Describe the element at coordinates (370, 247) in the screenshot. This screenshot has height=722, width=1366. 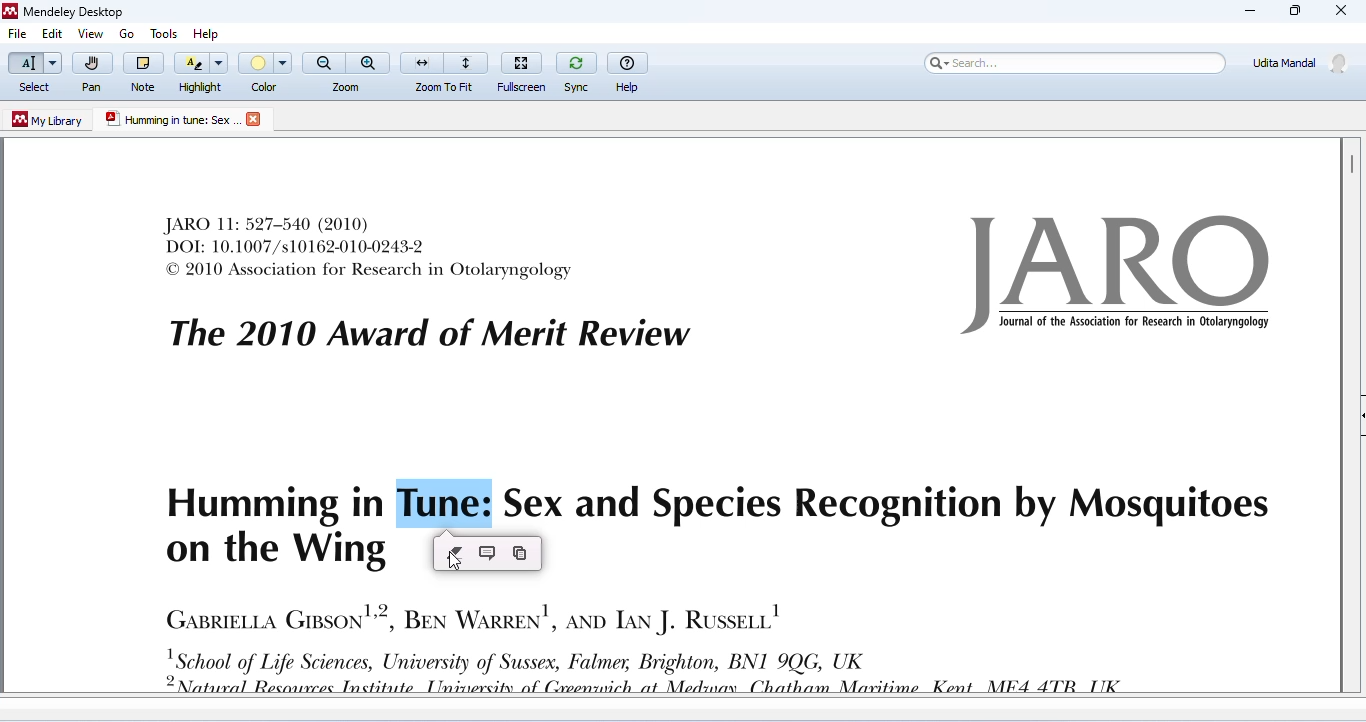
I see `JARO 11: 527-540 (2010)
DOI: 10.1007/510162-010-0243-2
© 2010 Association for Research in Otolaryngology` at that location.